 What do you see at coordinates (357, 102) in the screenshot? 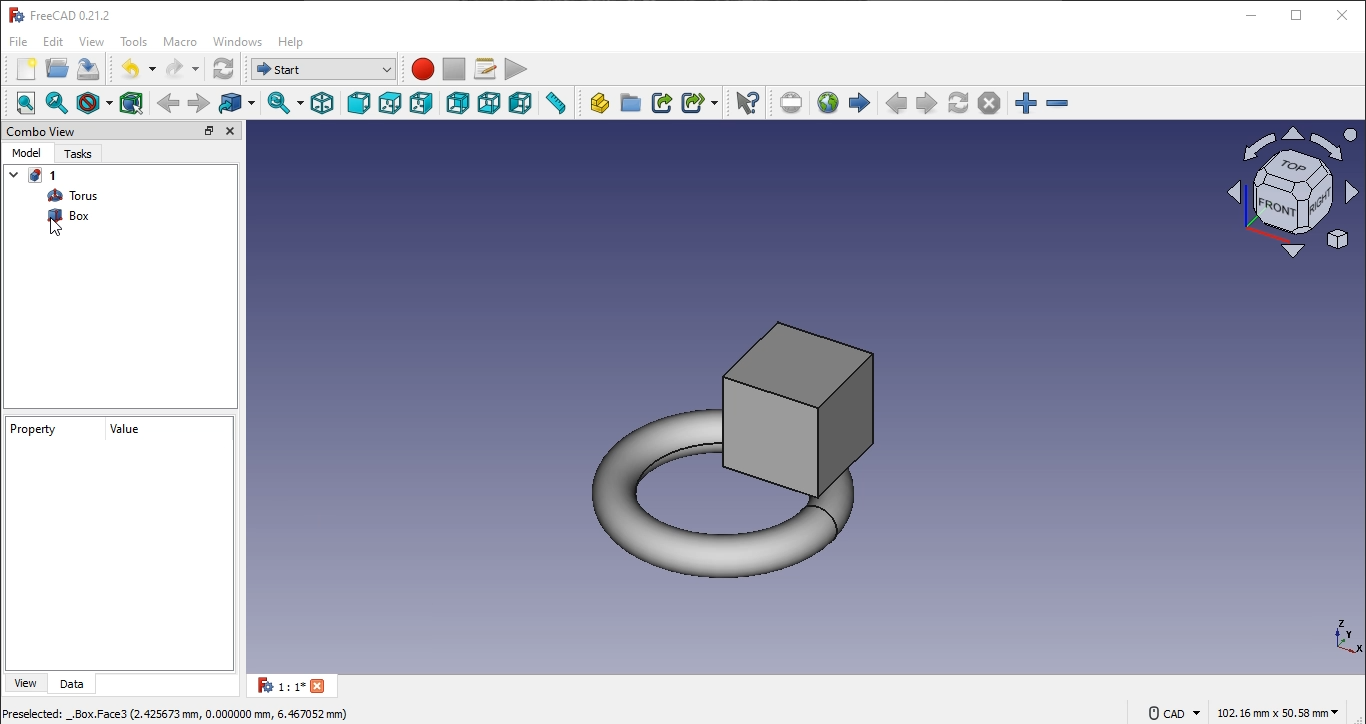
I see `front` at bounding box center [357, 102].